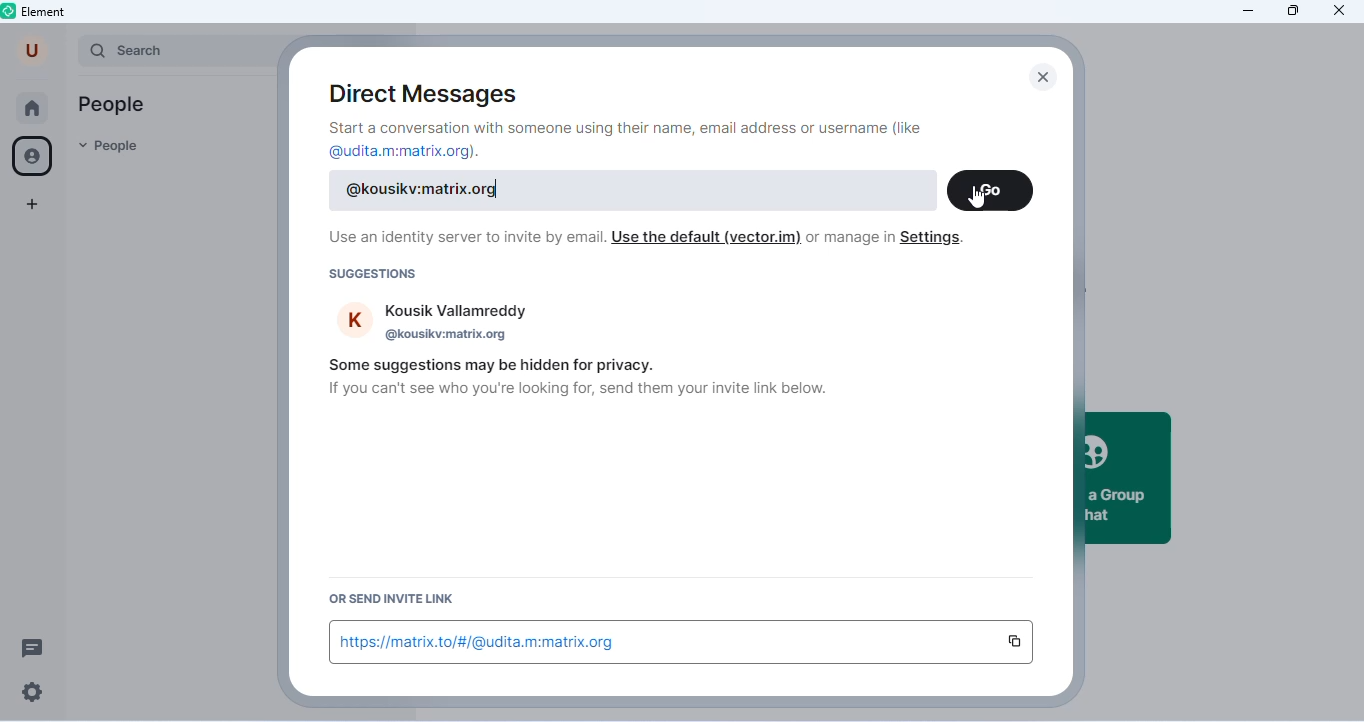  I want to click on or send invite link, so click(388, 599).